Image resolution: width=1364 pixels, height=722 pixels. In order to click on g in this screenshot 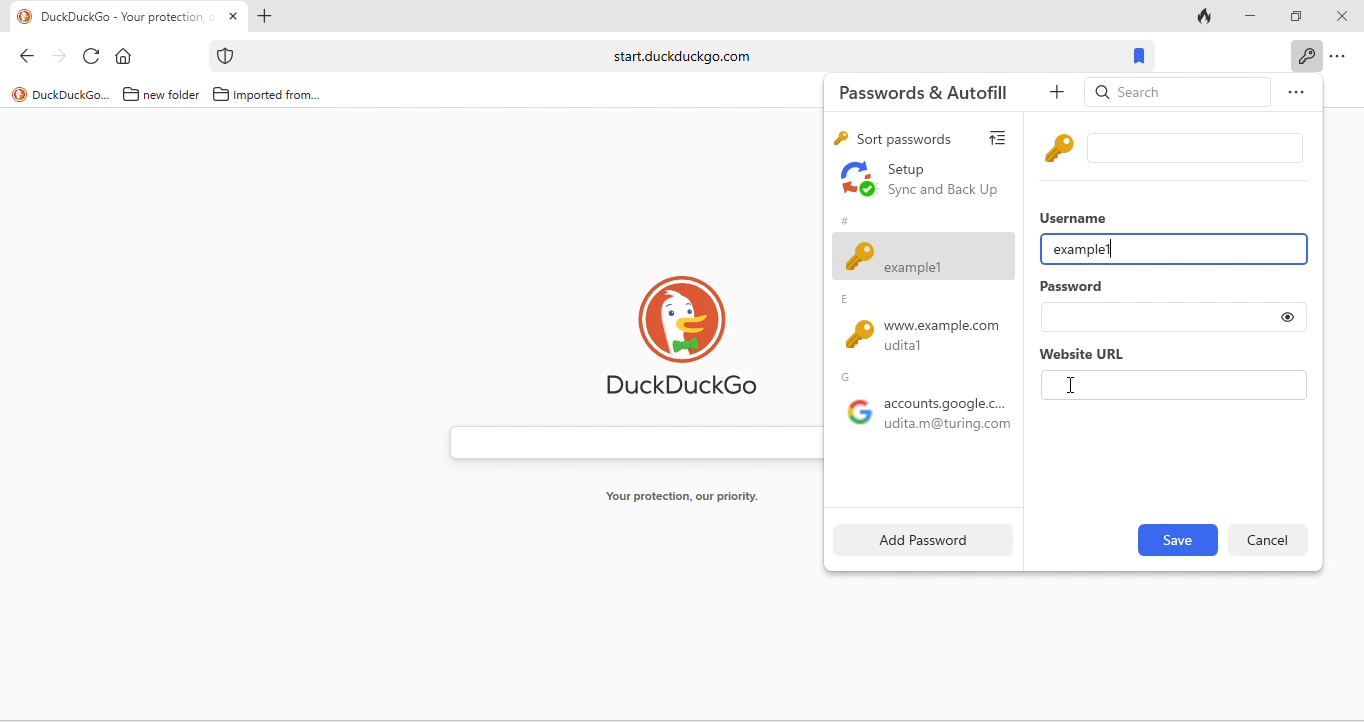, I will do `click(850, 377)`.